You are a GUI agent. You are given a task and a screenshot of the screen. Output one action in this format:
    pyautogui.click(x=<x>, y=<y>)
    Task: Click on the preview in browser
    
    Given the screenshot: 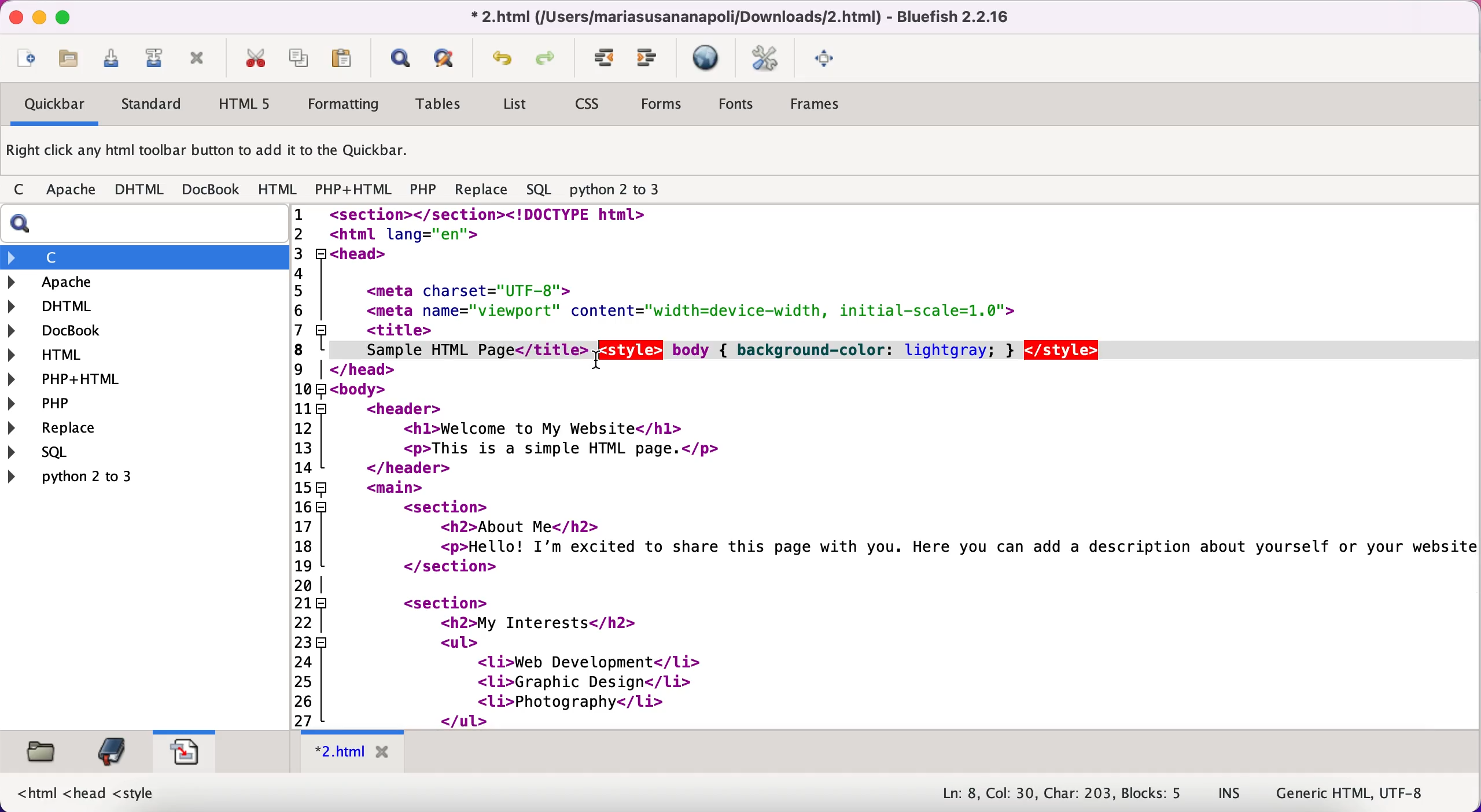 What is the action you would take?
    pyautogui.click(x=708, y=58)
    